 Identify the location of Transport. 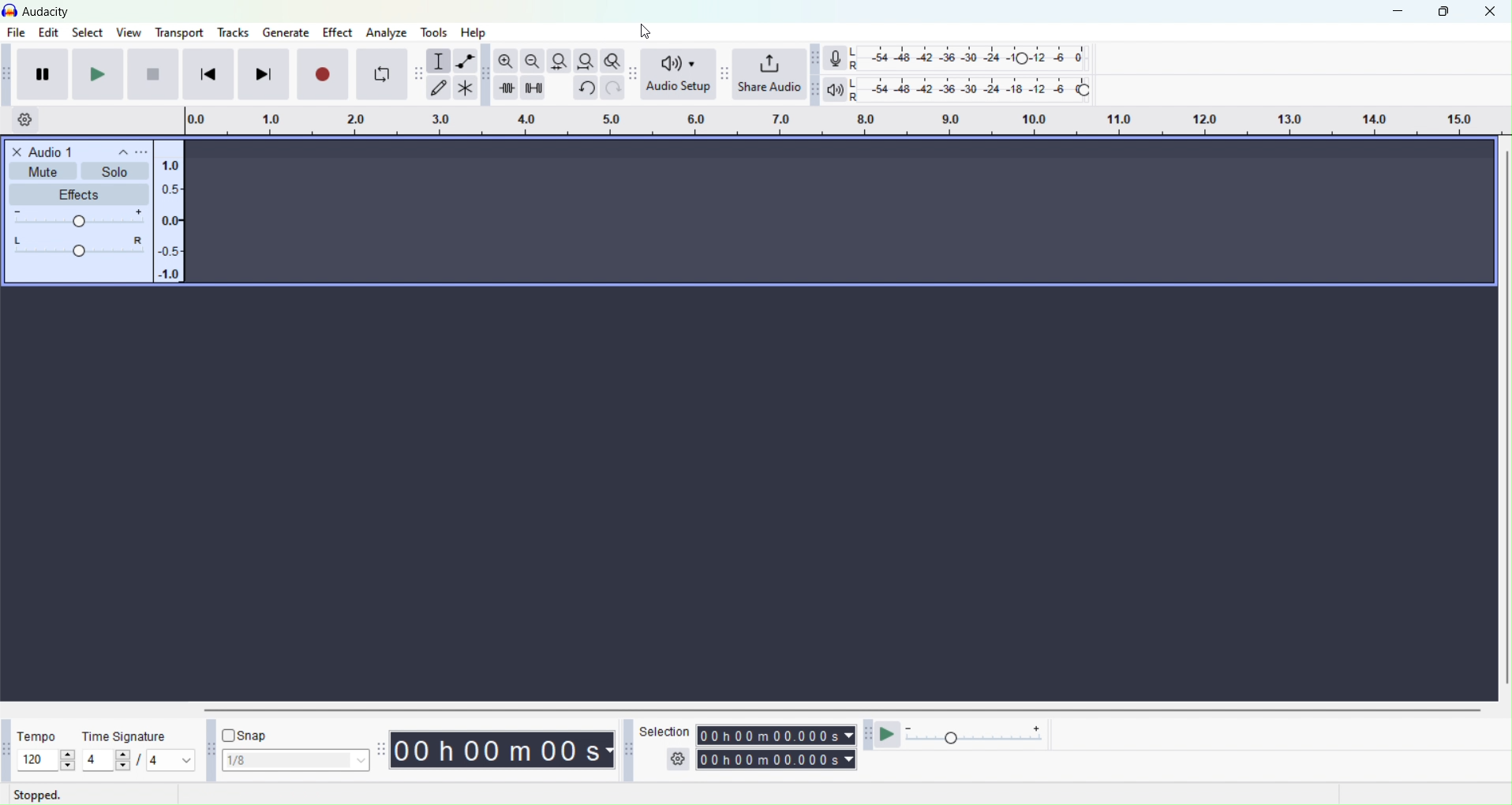
(182, 32).